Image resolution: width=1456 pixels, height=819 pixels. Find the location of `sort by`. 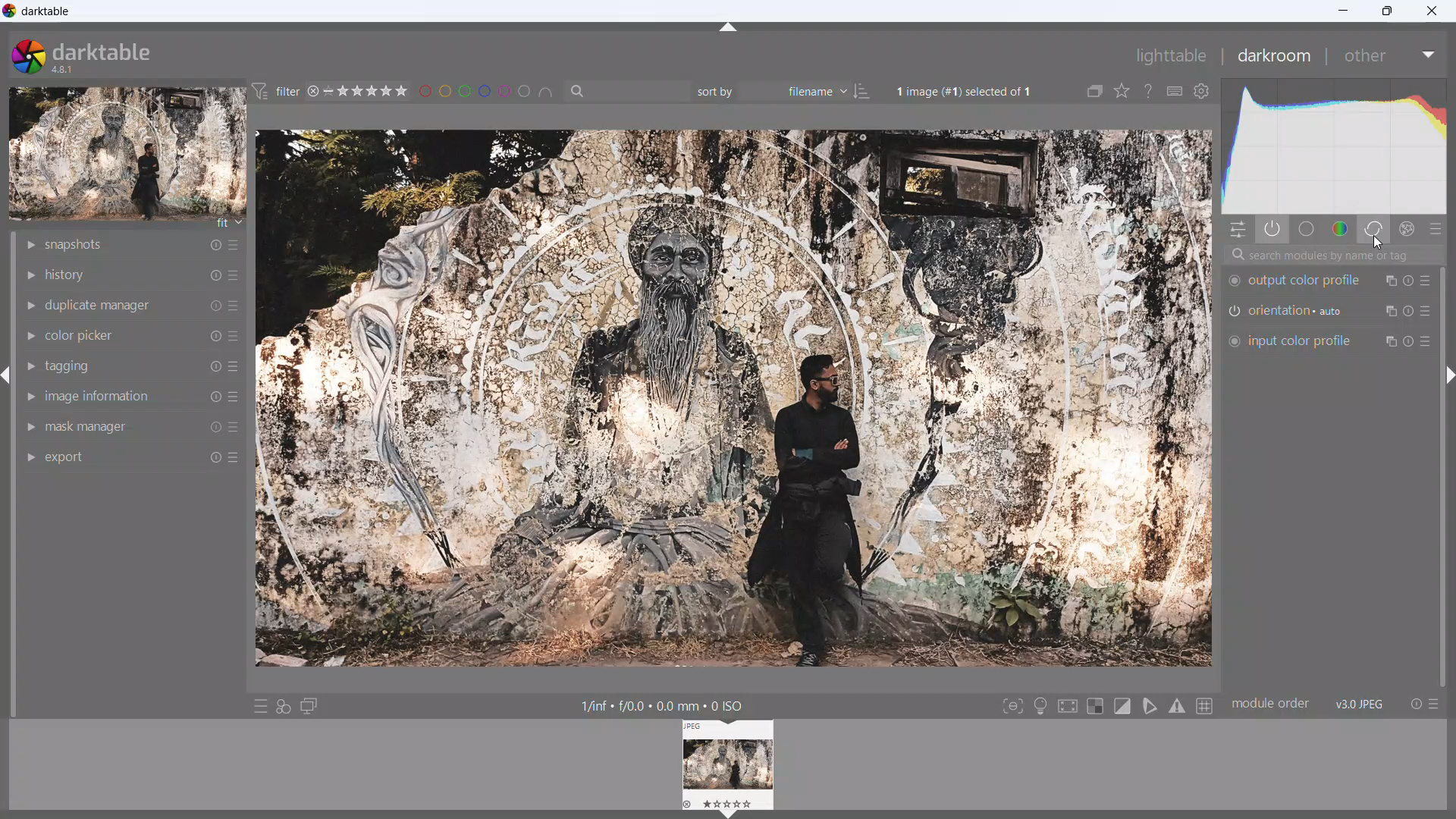

sort by is located at coordinates (772, 93).